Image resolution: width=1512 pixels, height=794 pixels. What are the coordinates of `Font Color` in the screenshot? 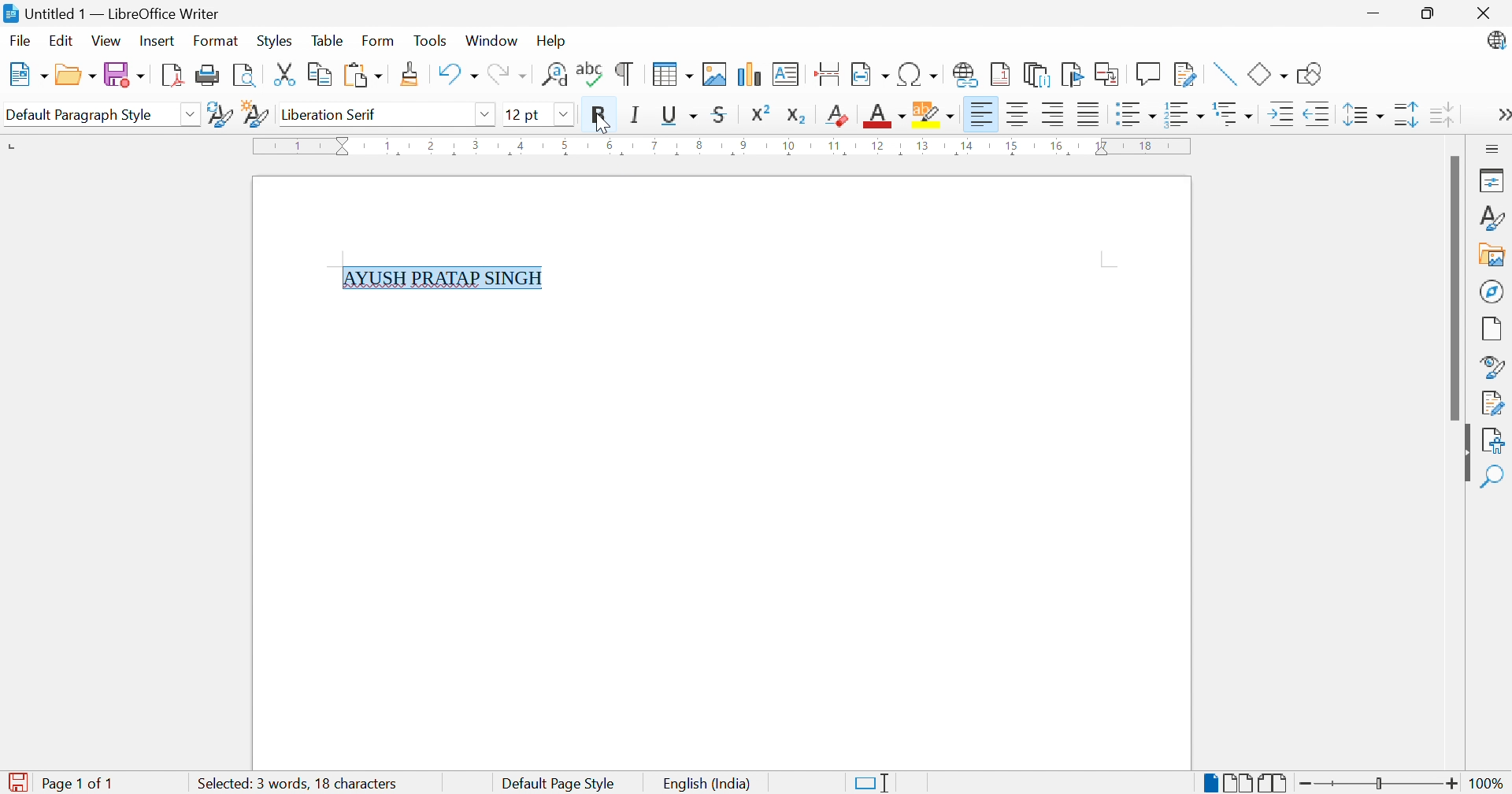 It's located at (882, 116).